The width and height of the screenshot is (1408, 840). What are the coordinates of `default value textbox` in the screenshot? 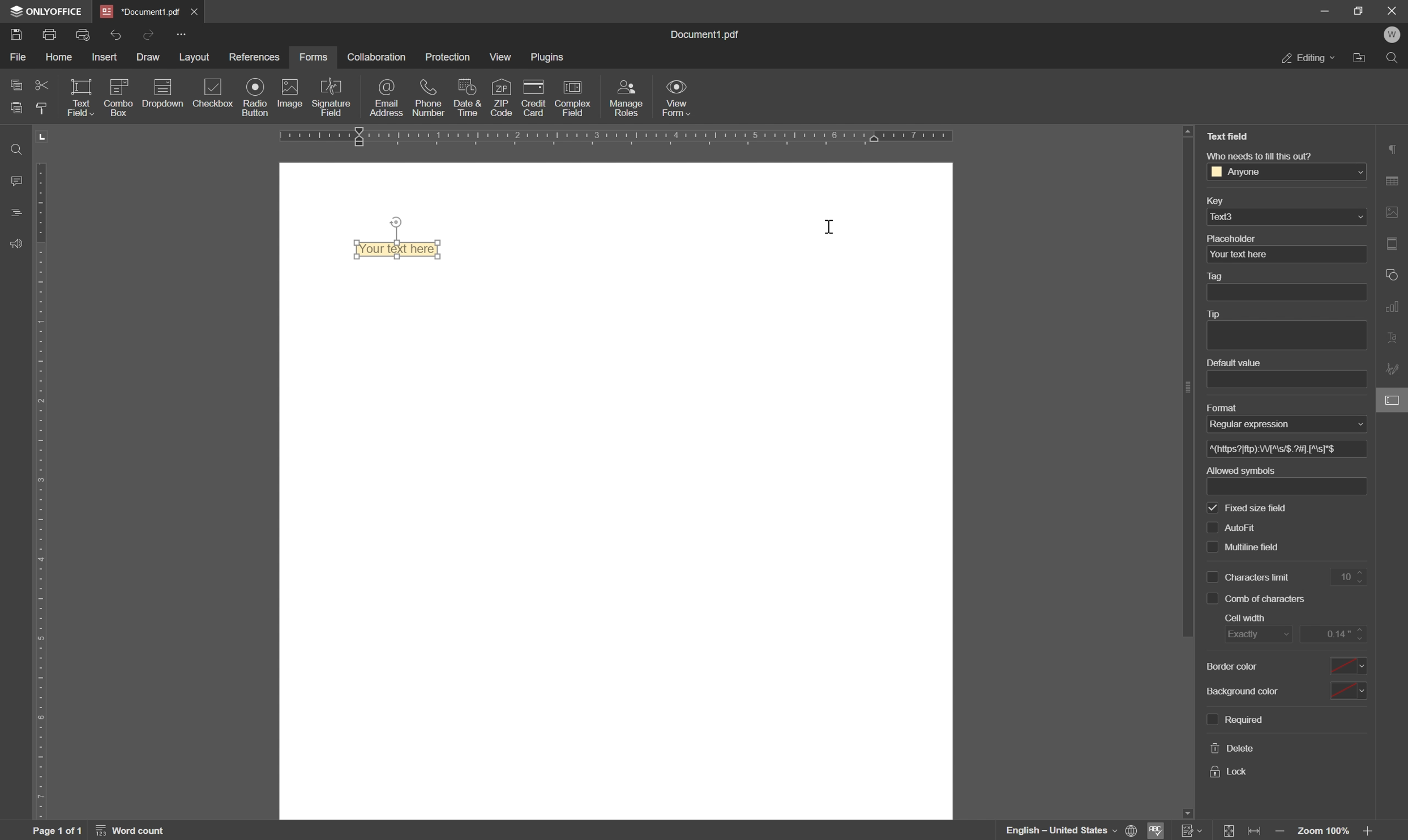 It's located at (1289, 379).